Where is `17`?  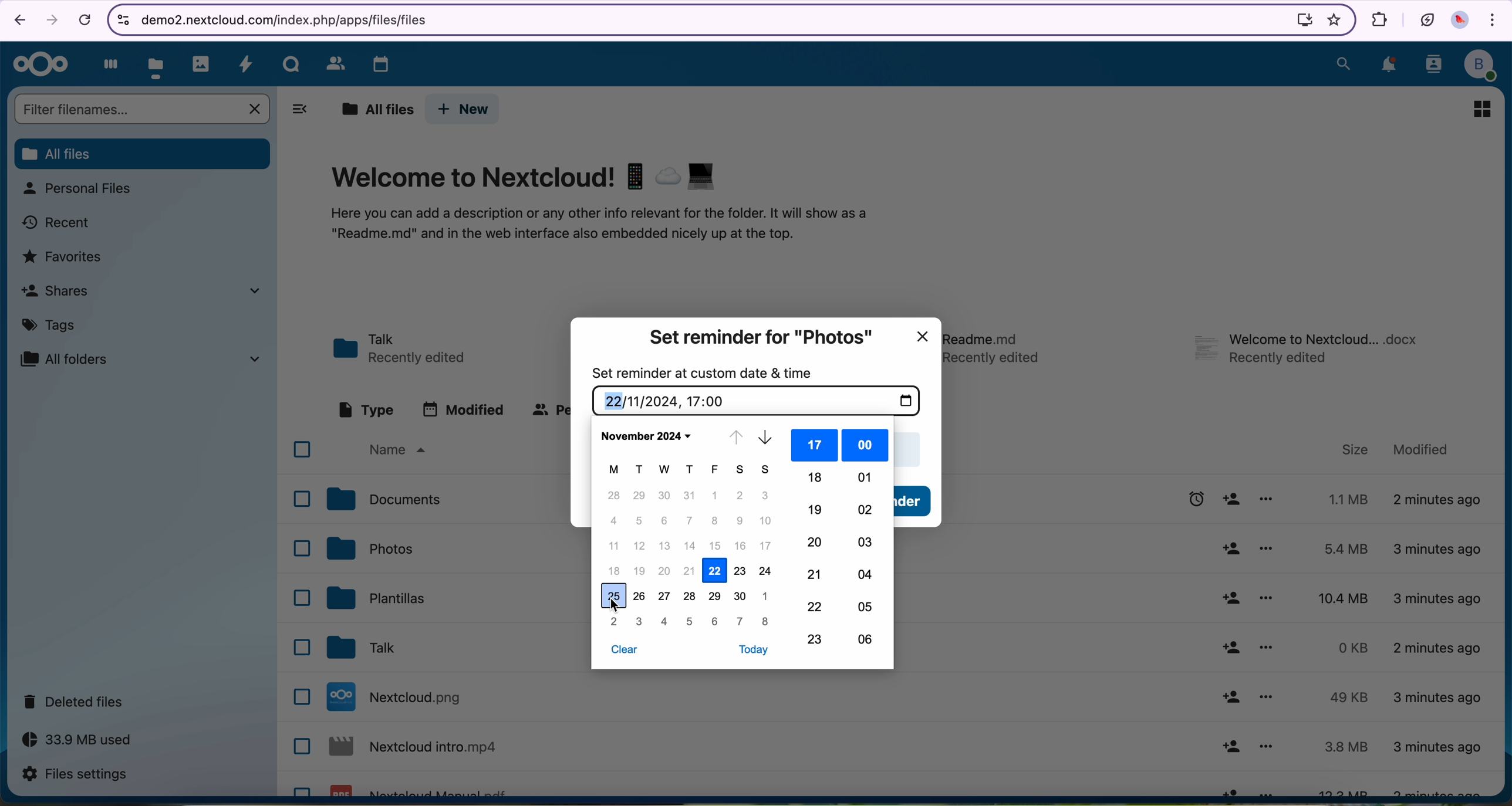 17 is located at coordinates (816, 445).